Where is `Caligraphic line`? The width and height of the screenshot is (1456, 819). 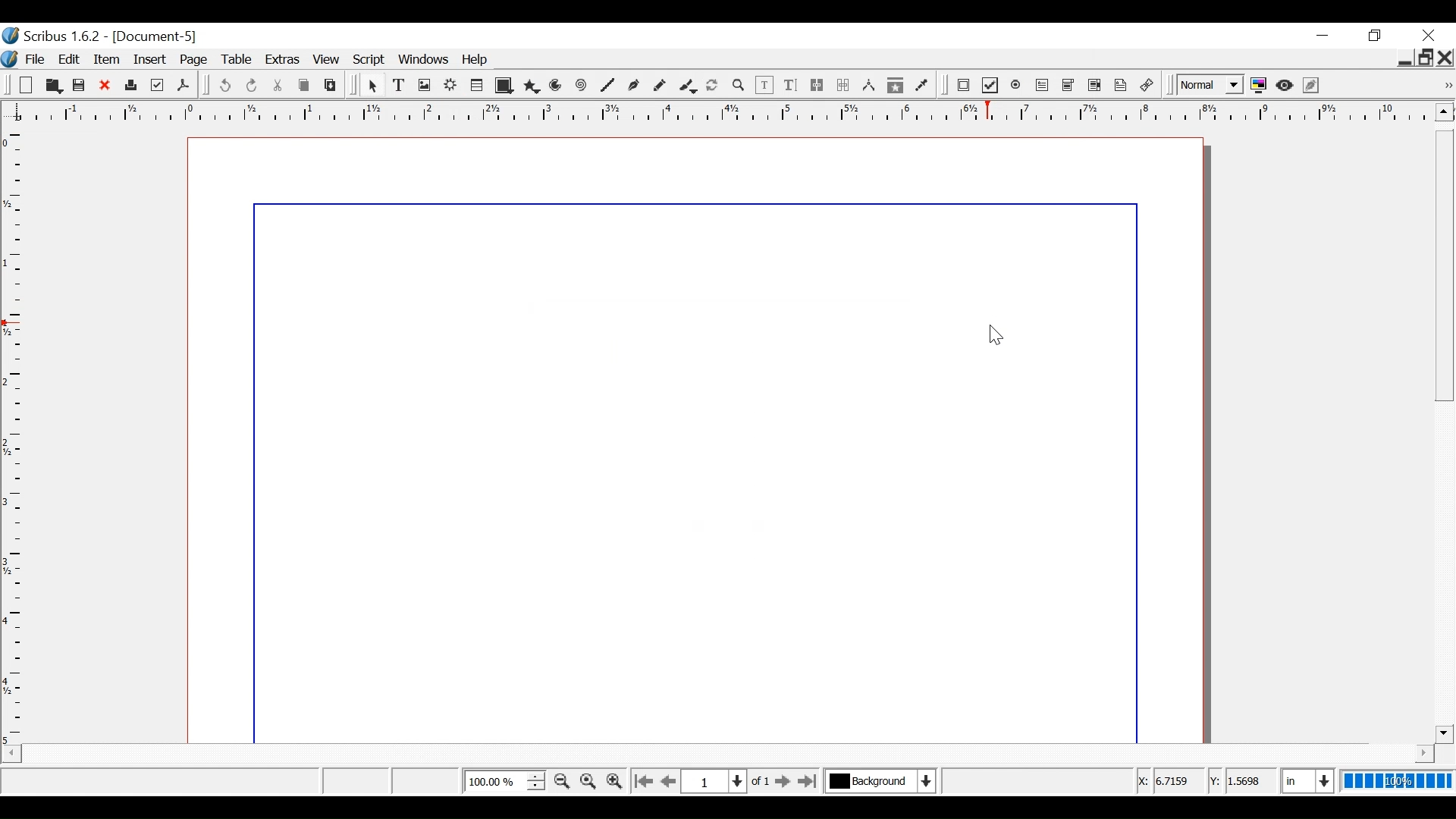 Caligraphic line is located at coordinates (686, 86).